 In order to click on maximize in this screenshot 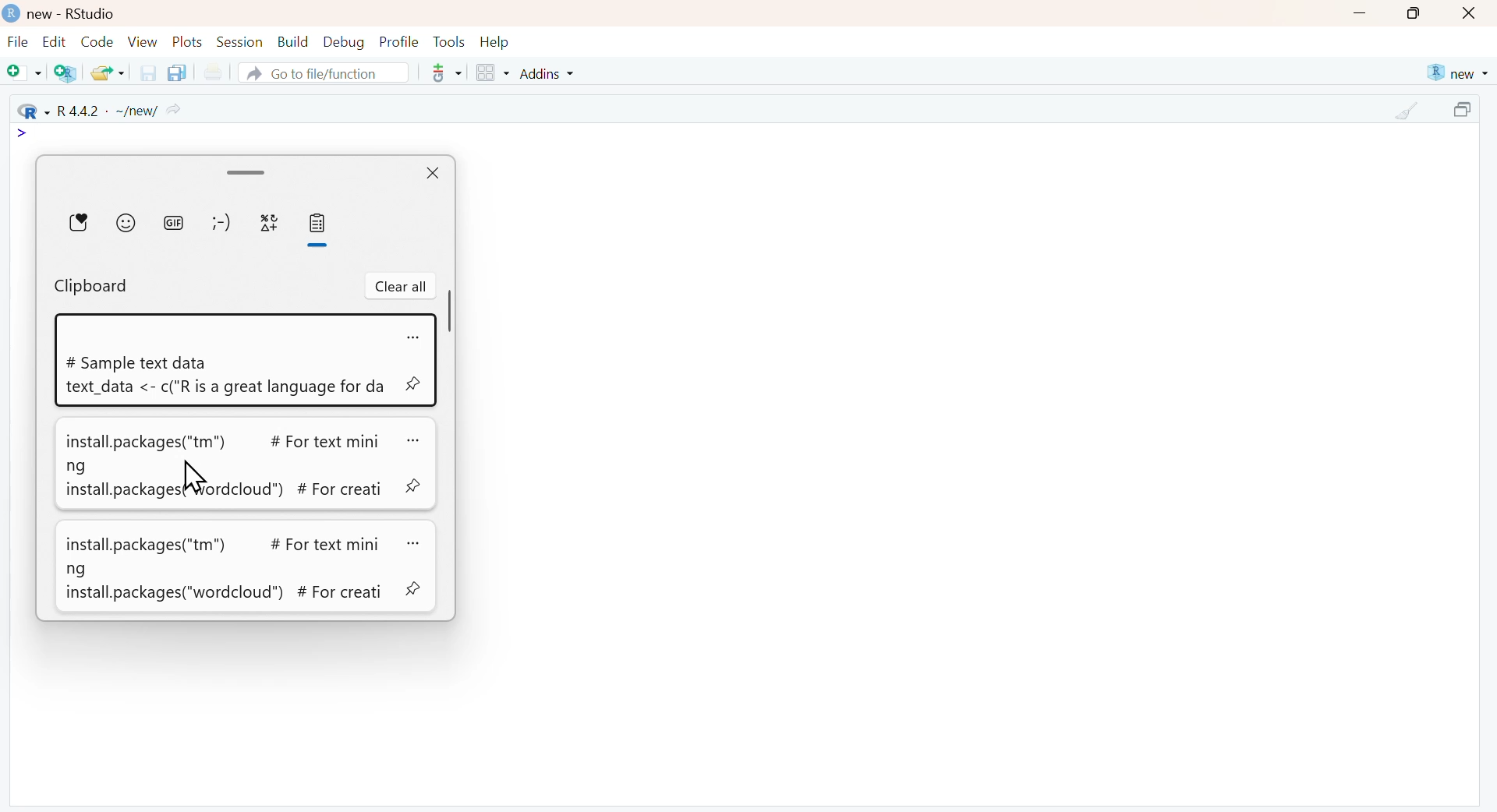, I will do `click(1417, 13)`.